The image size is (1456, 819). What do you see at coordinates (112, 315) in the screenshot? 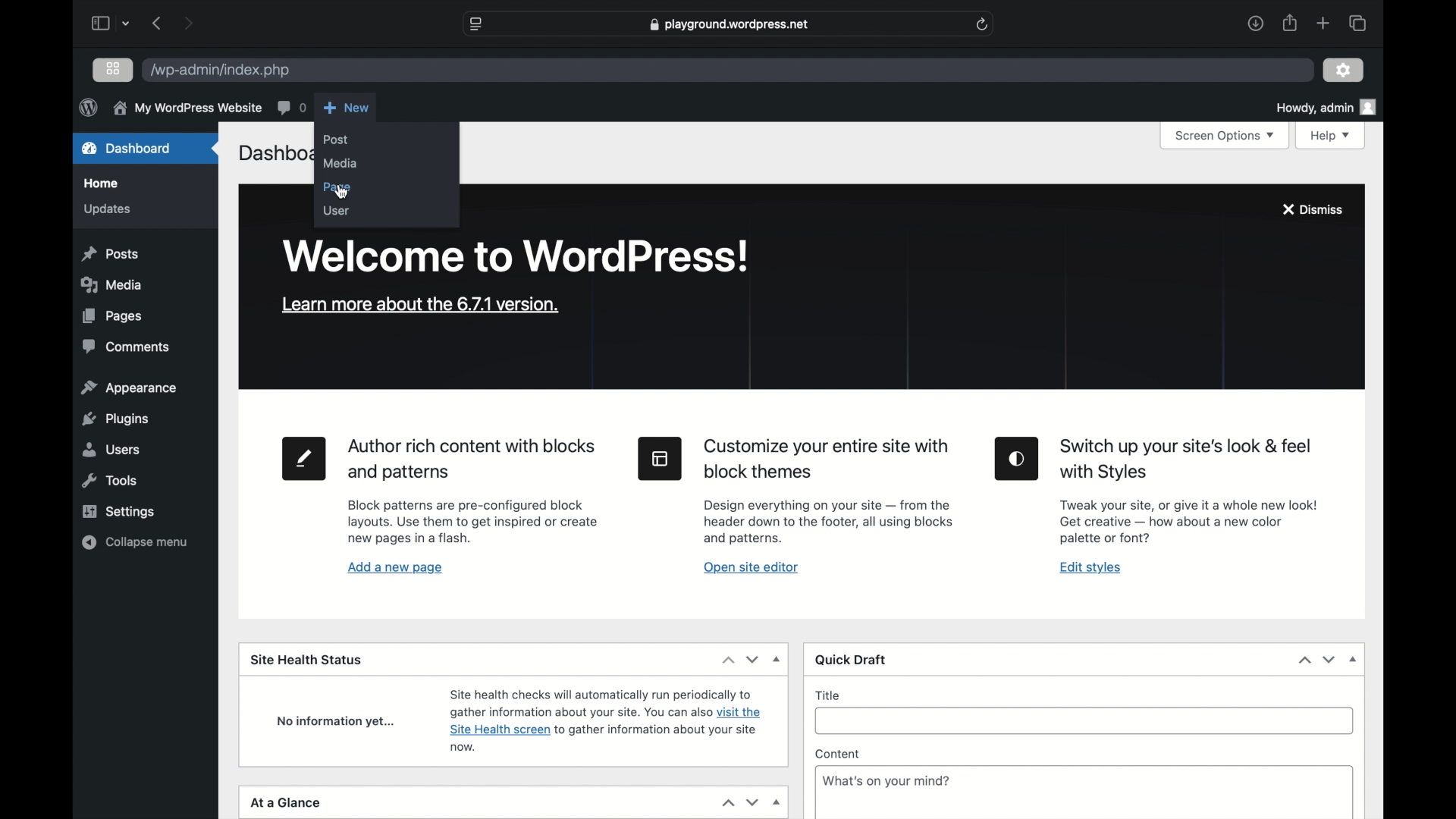
I see `pages` at bounding box center [112, 315].